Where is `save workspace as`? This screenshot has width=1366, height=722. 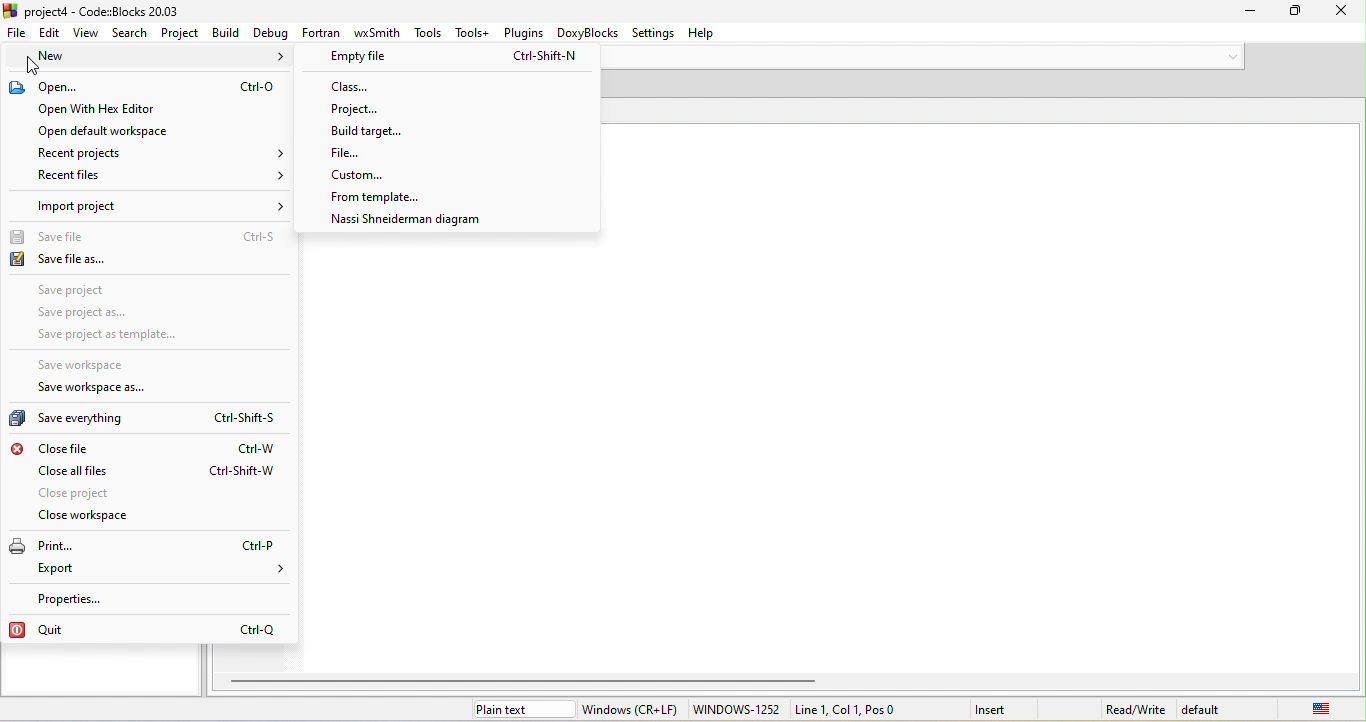
save workspace as is located at coordinates (105, 386).